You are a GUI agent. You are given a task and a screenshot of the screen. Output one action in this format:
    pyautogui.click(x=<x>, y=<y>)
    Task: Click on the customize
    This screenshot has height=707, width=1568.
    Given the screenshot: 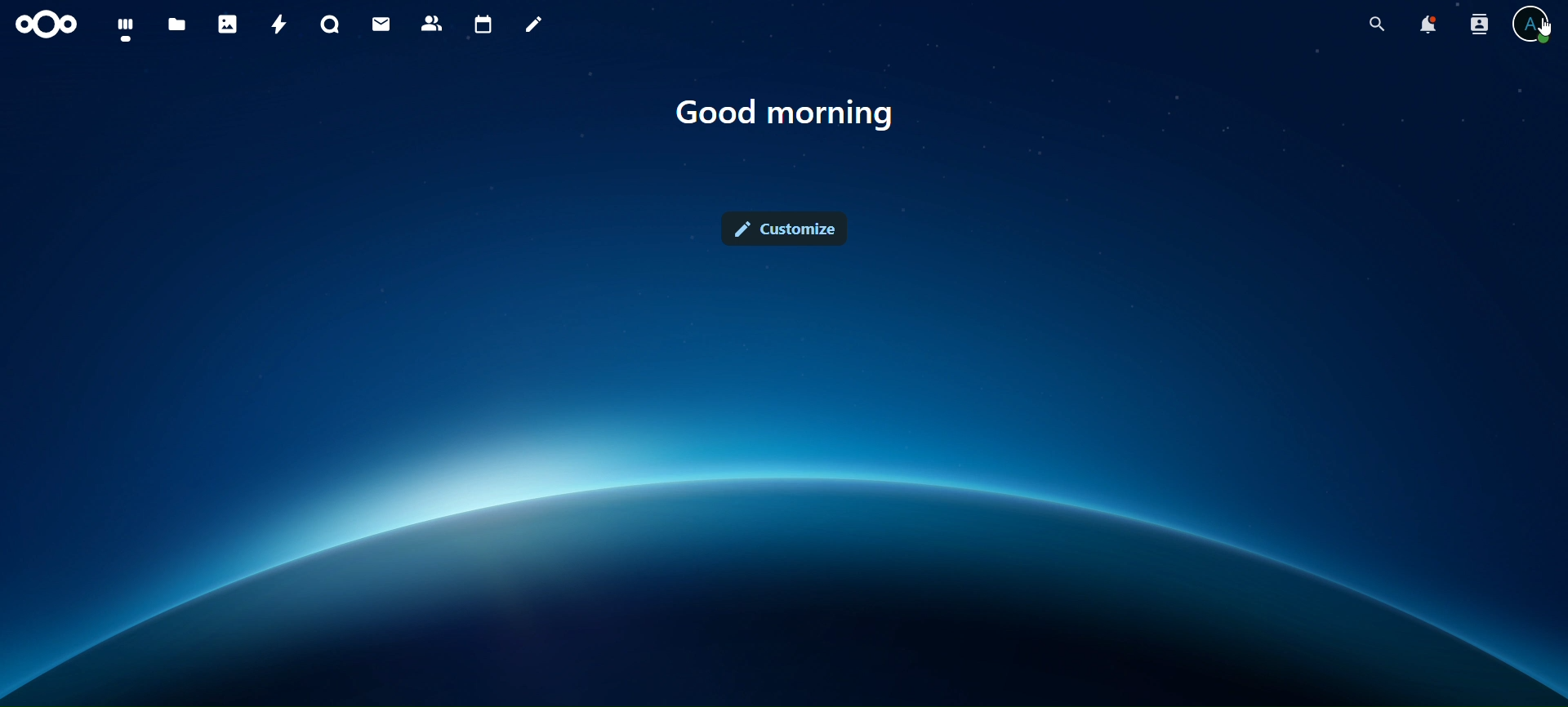 What is the action you would take?
    pyautogui.click(x=787, y=231)
    